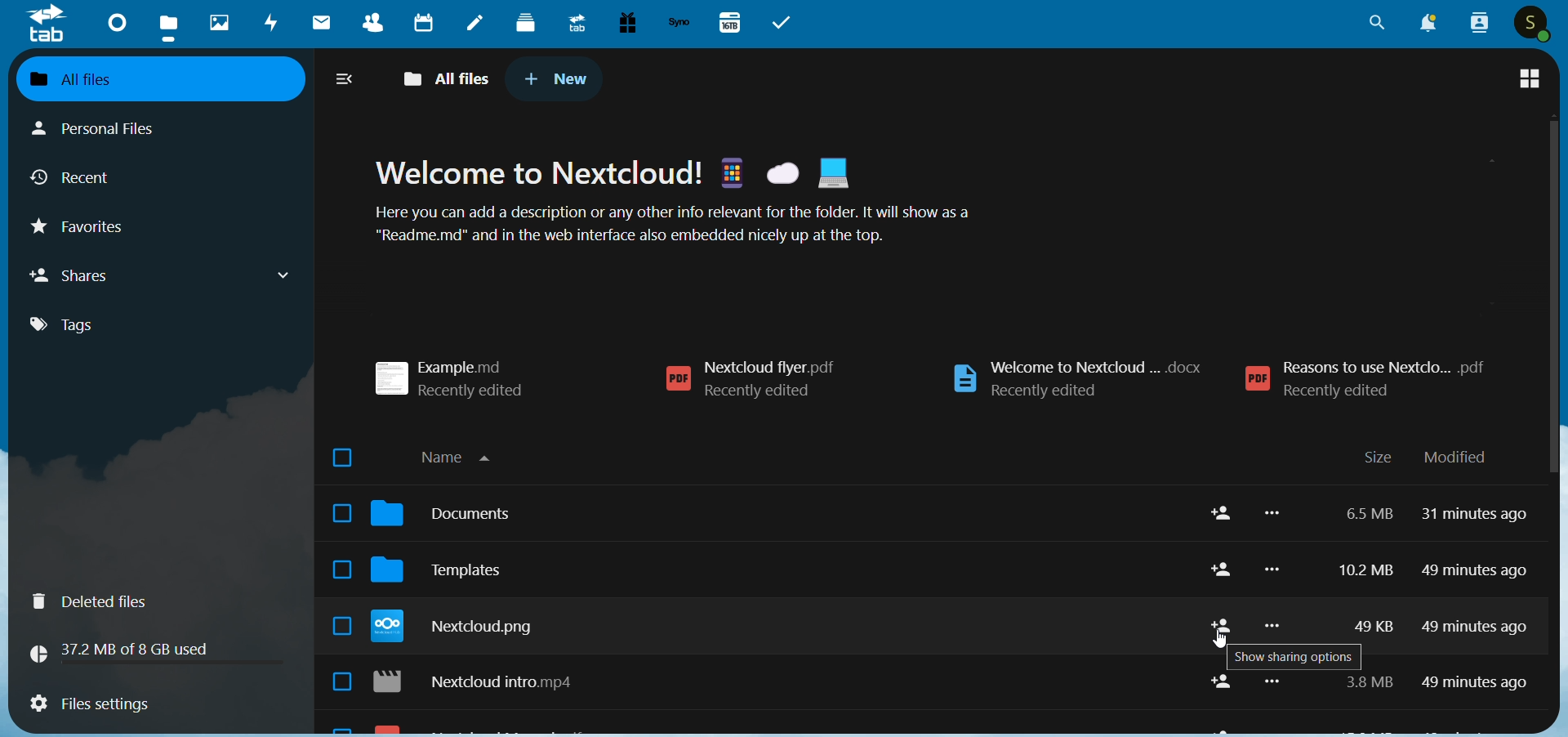 This screenshot has width=1568, height=737. I want to click on mail, so click(318, 25).